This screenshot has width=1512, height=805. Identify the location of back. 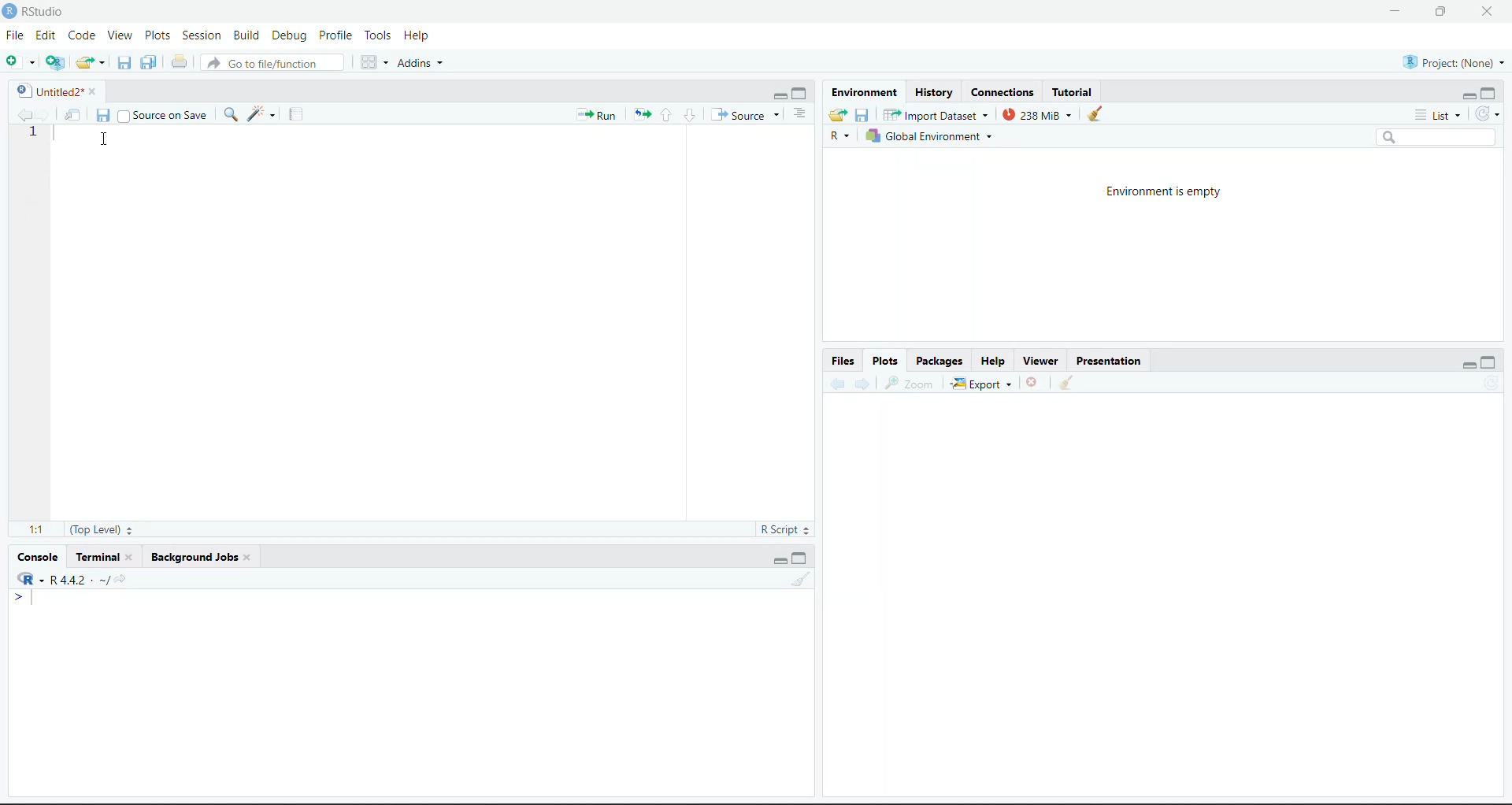
(22, 114).